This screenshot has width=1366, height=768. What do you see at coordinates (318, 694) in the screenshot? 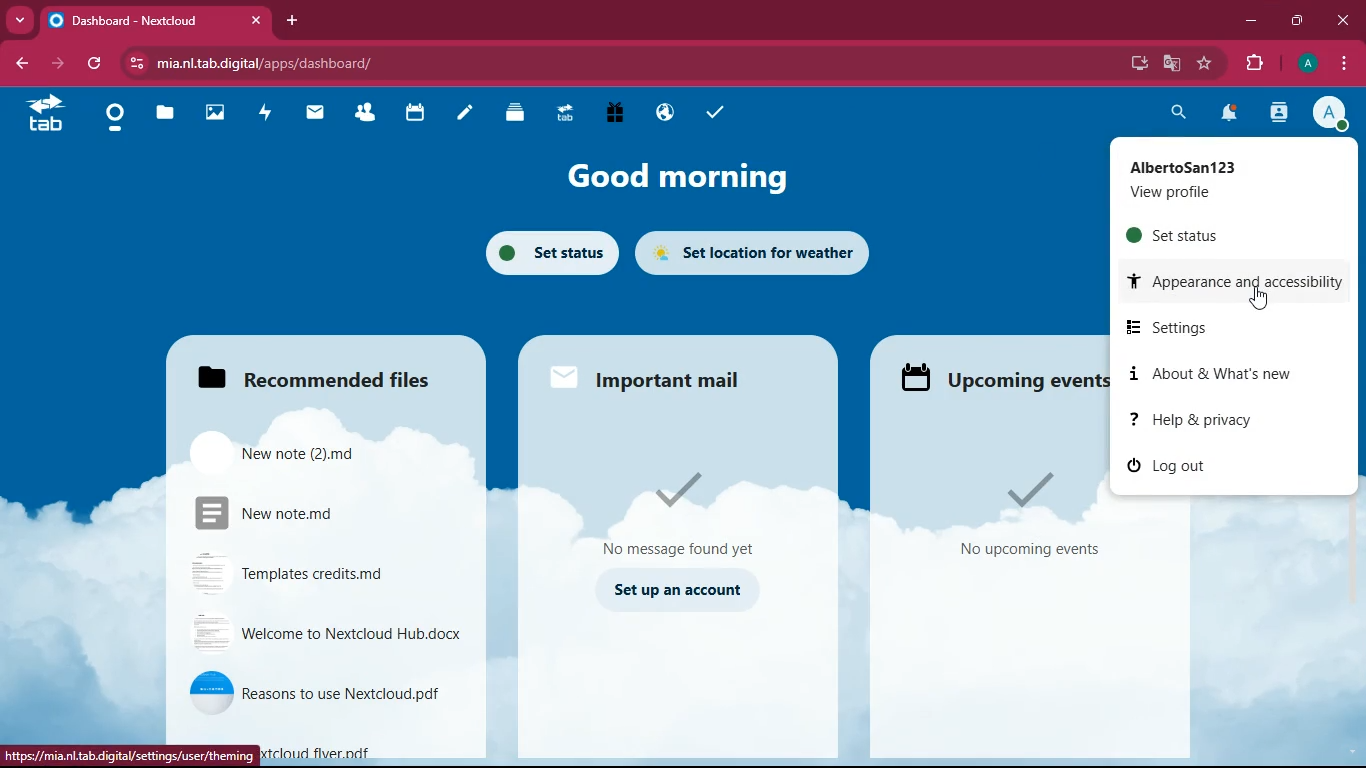
I see `file` at bounding box center [318, 694].